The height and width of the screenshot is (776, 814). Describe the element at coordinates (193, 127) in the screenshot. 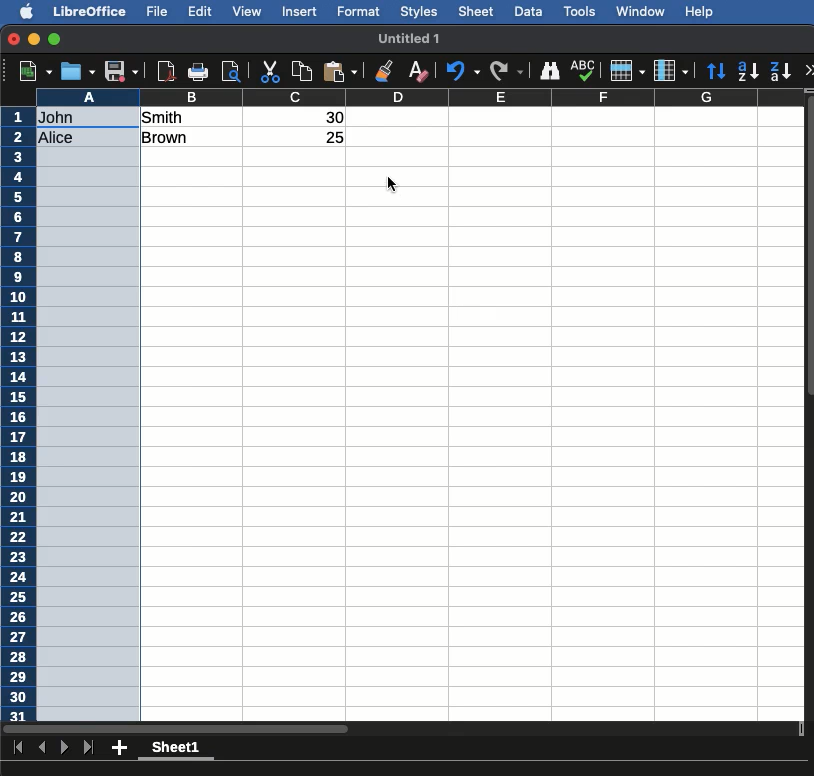

I see `Text to column` at that location.